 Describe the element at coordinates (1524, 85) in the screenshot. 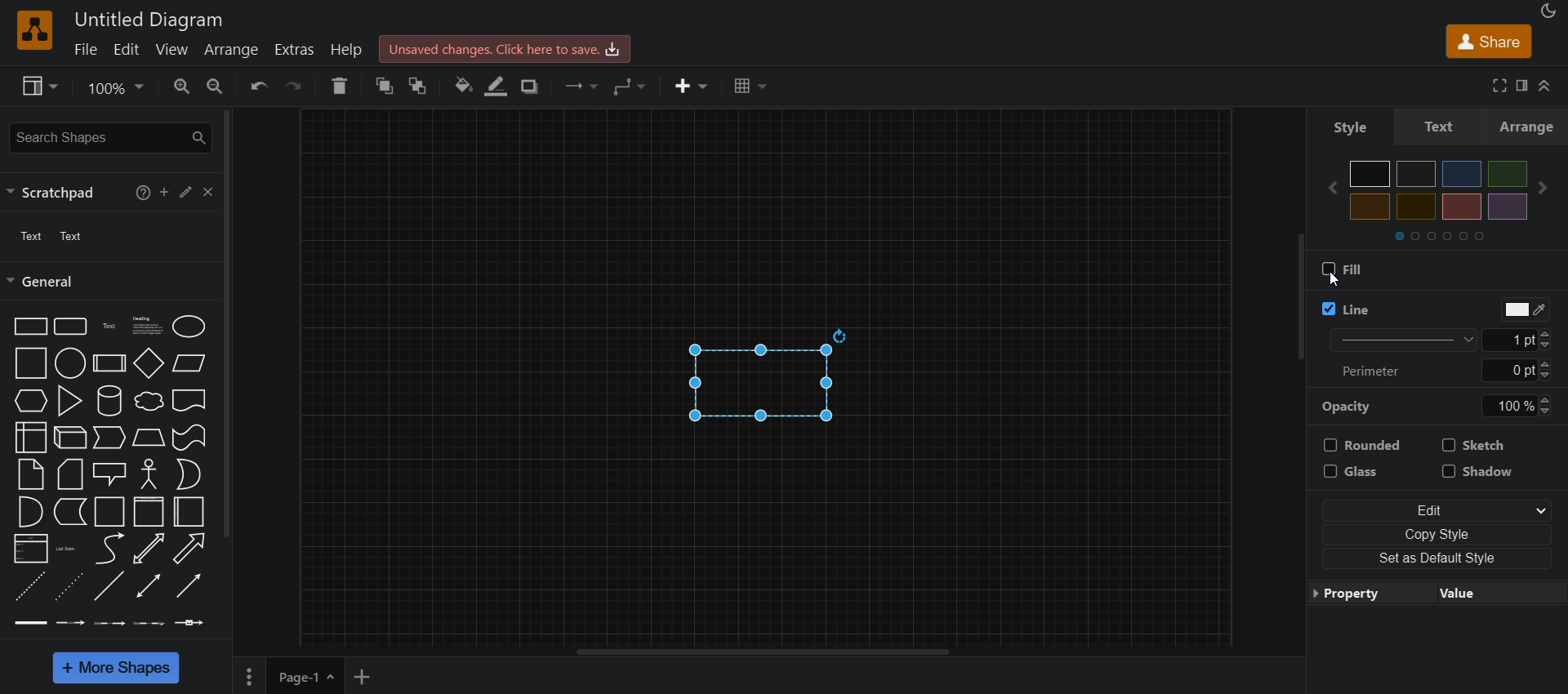

I see `format` at that location.